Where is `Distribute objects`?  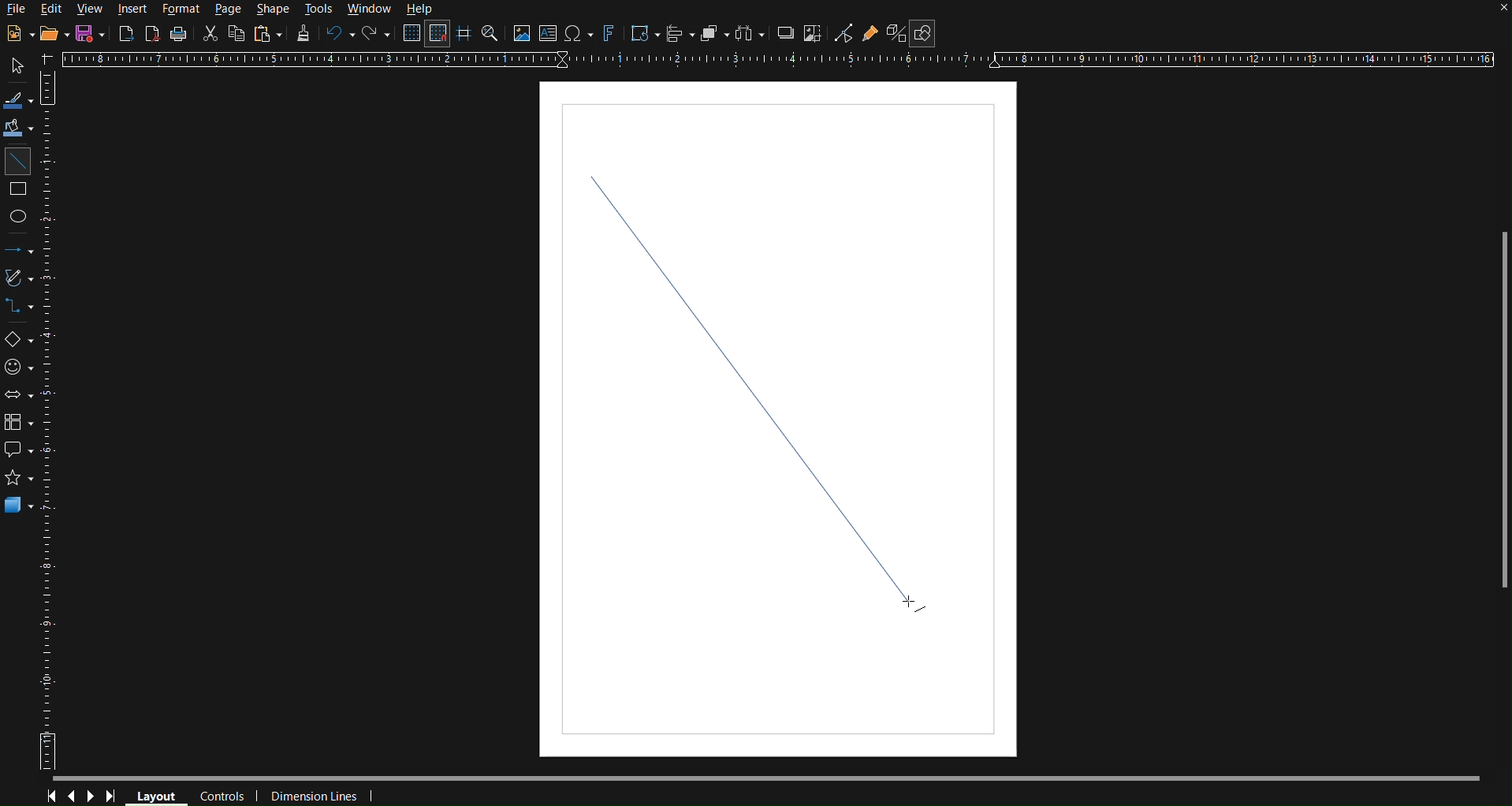
Distribute objects is located at coordinates (752, 33).